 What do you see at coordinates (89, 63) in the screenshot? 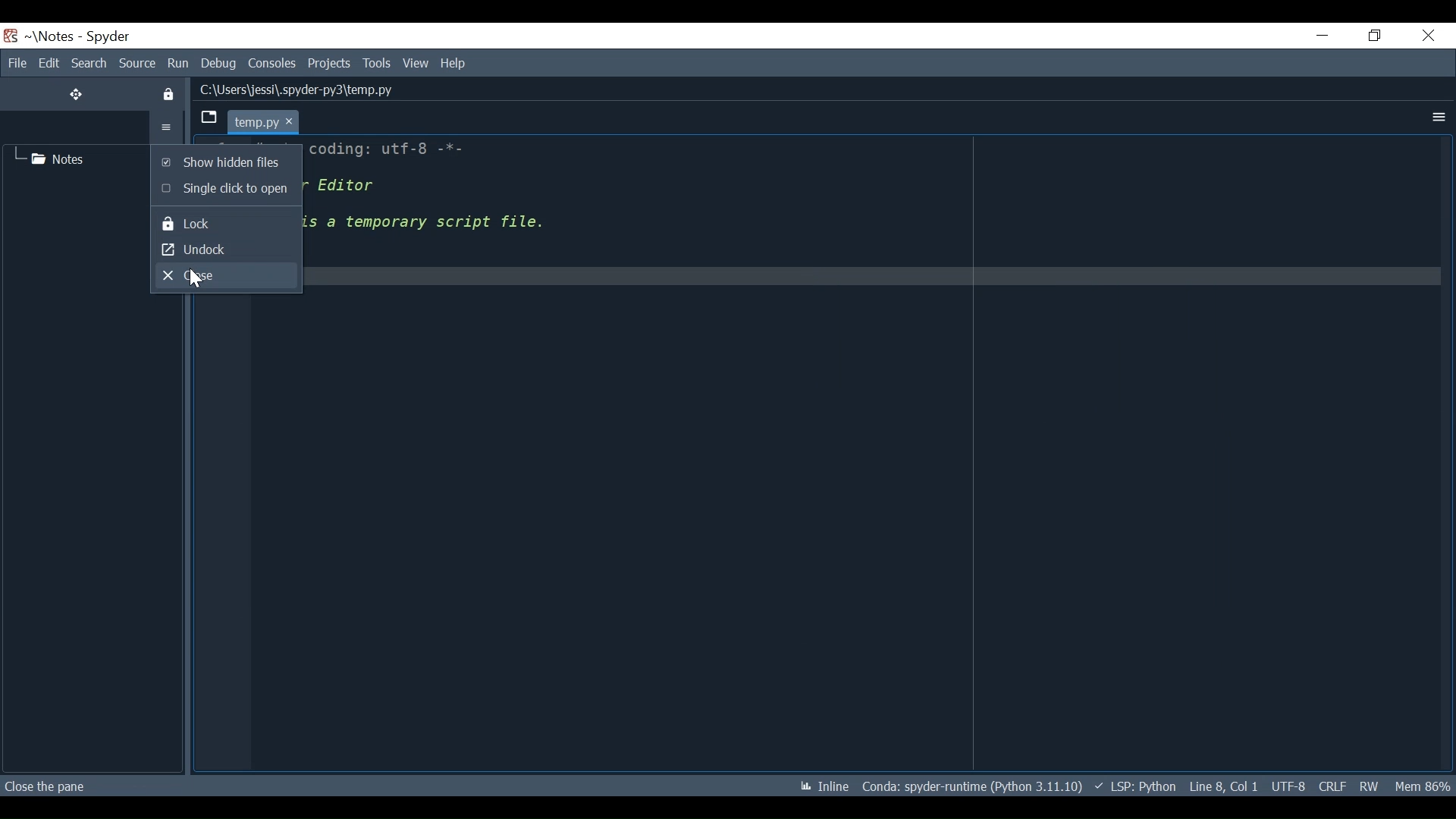
I see `Search` at bounding box center [89, 63].